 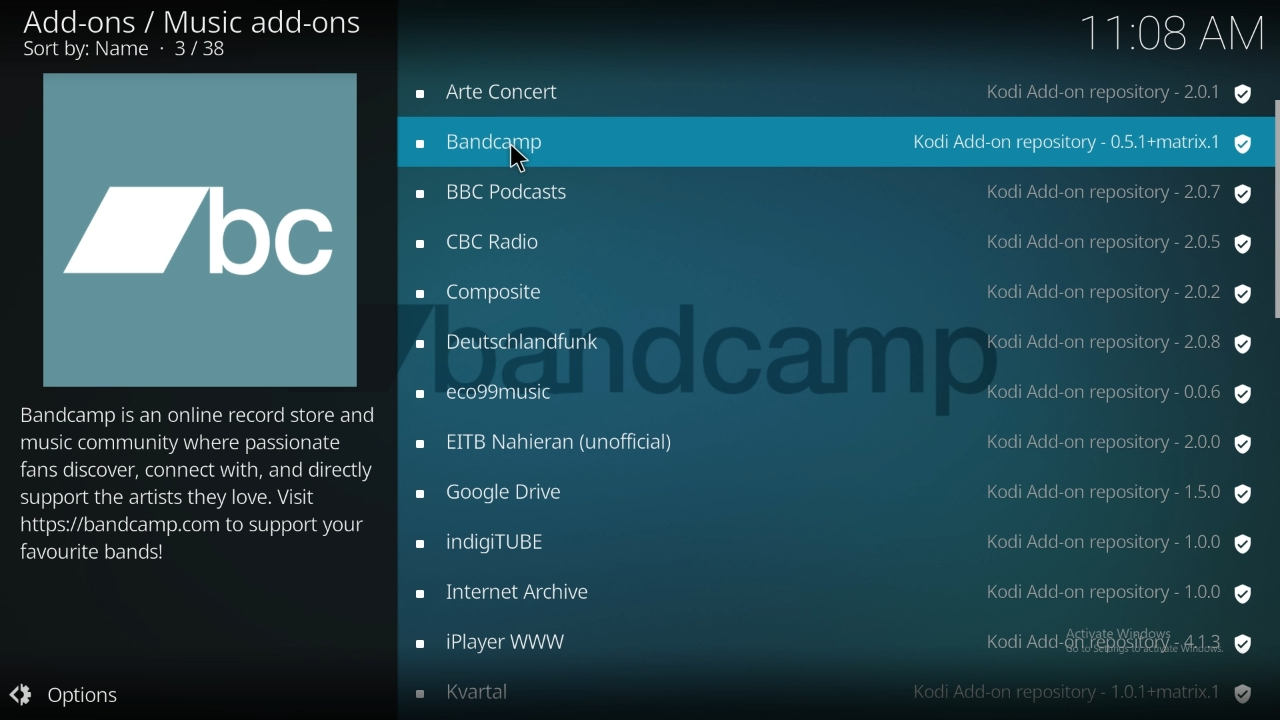 I want to click on add on, so click(x=833, y=96).